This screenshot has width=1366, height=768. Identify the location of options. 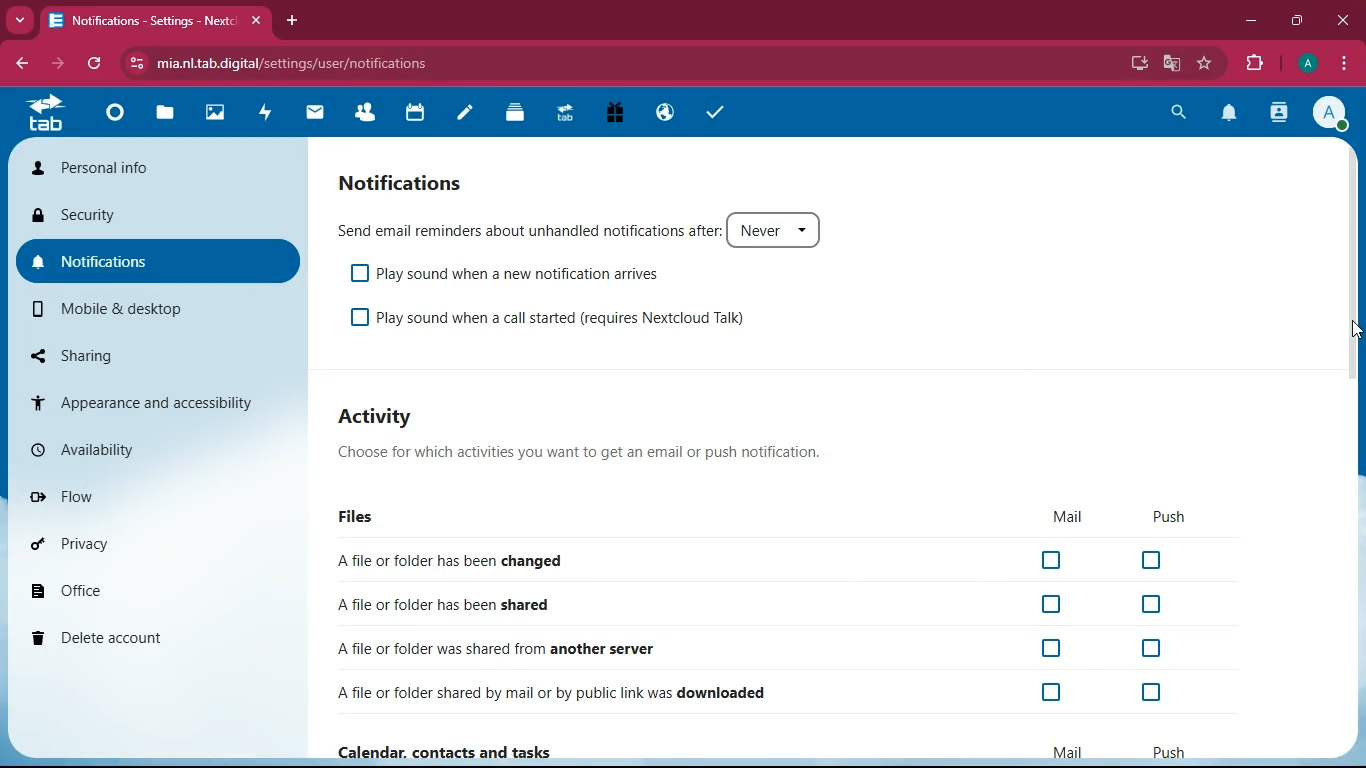
(1344, 63).